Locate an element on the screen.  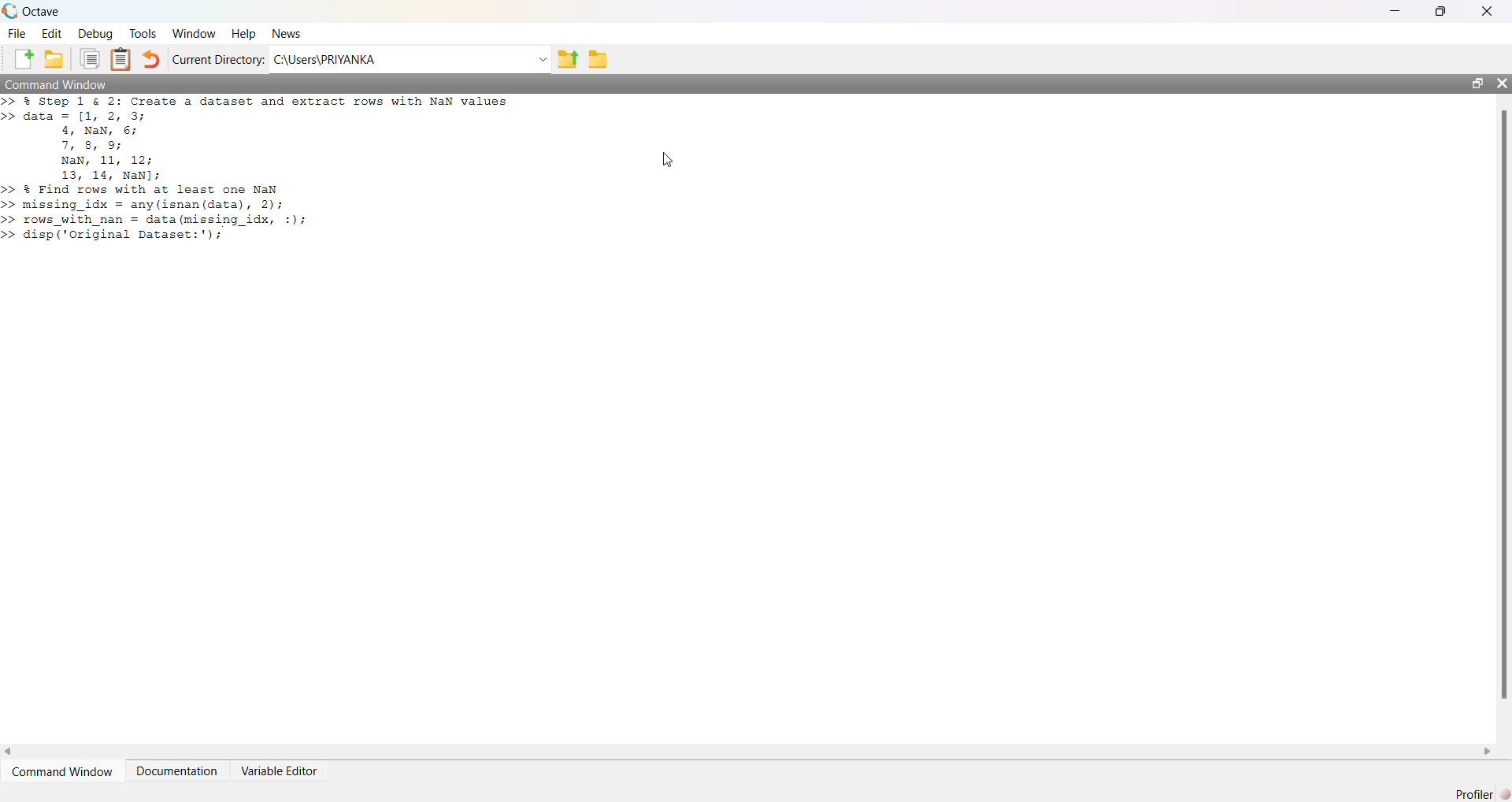
C:\Users\PRIYANKA is located at coordinates (324, 59).